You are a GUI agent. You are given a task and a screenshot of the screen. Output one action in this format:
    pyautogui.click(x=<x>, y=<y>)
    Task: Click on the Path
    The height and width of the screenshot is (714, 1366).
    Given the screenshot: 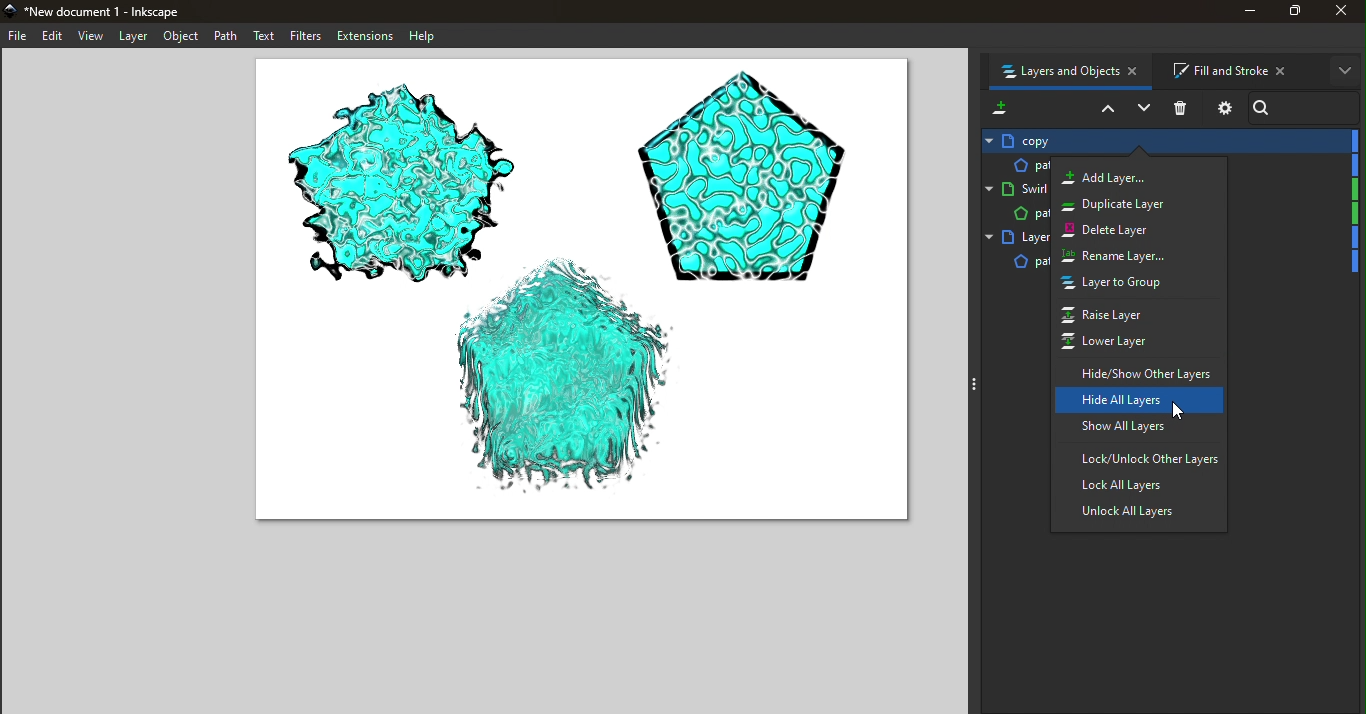 What is the action you would take?
    pyautogui.click(x=225, y=36)
    